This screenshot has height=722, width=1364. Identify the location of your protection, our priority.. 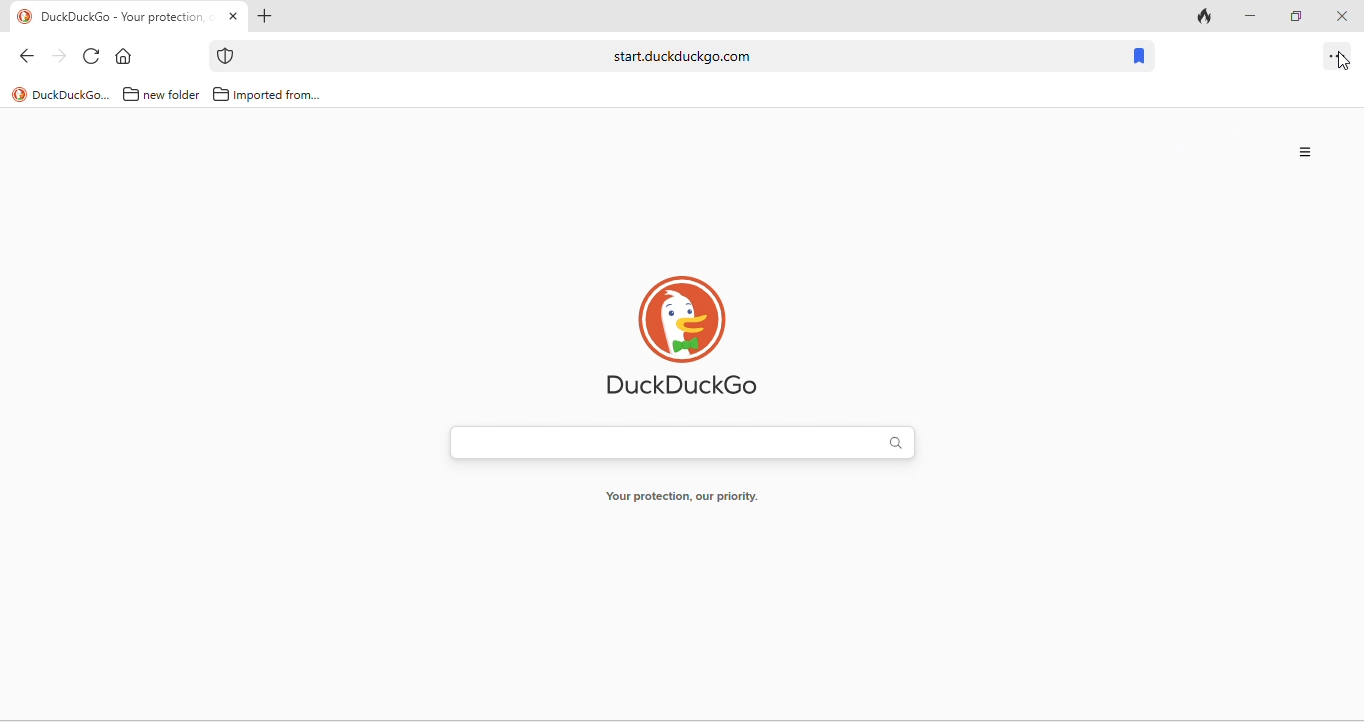
(683, 497).